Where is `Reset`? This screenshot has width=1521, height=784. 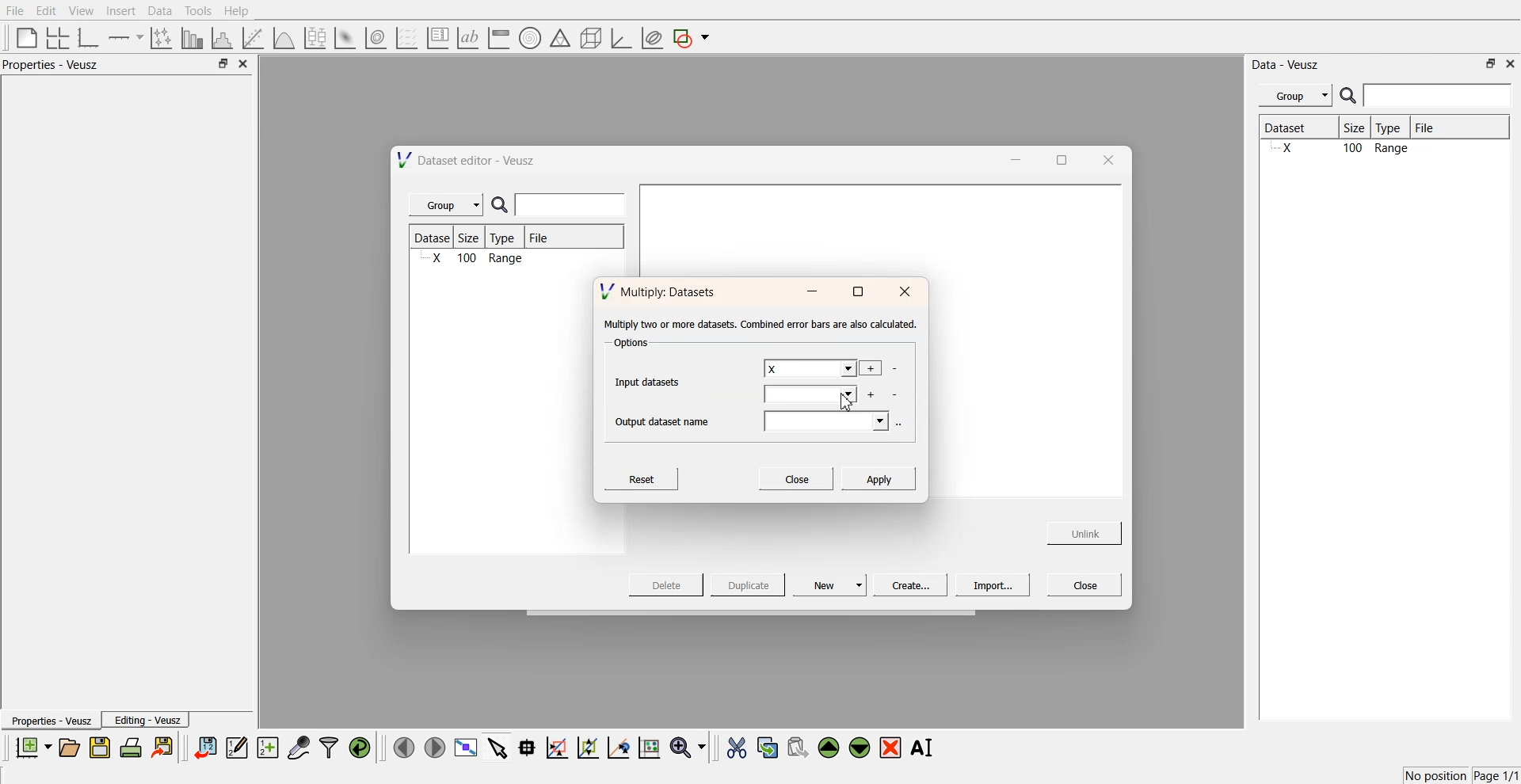 Reset is located at coordinates (644, 478).